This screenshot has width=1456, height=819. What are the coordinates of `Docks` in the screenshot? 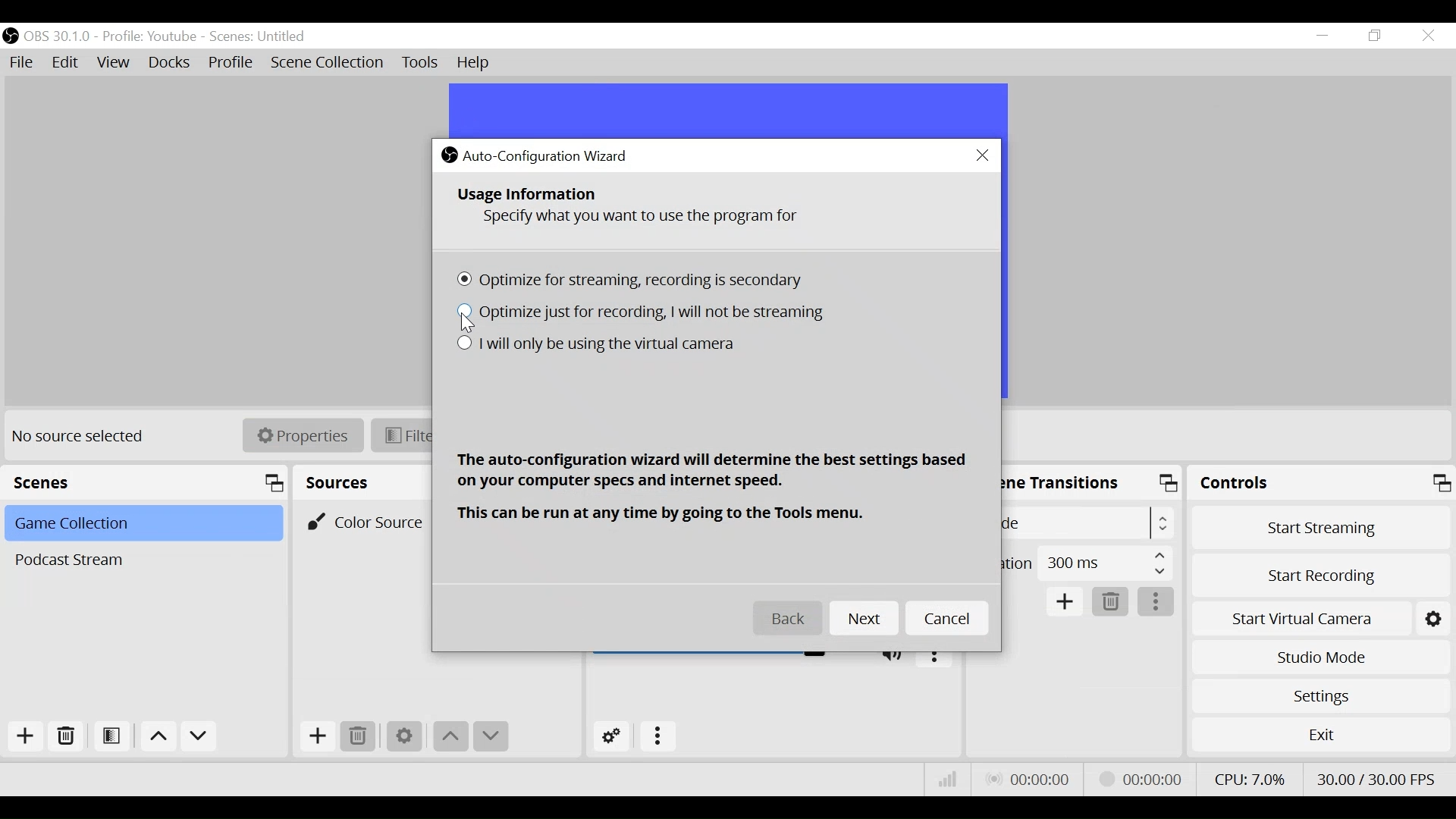 It's located at (171, 62).